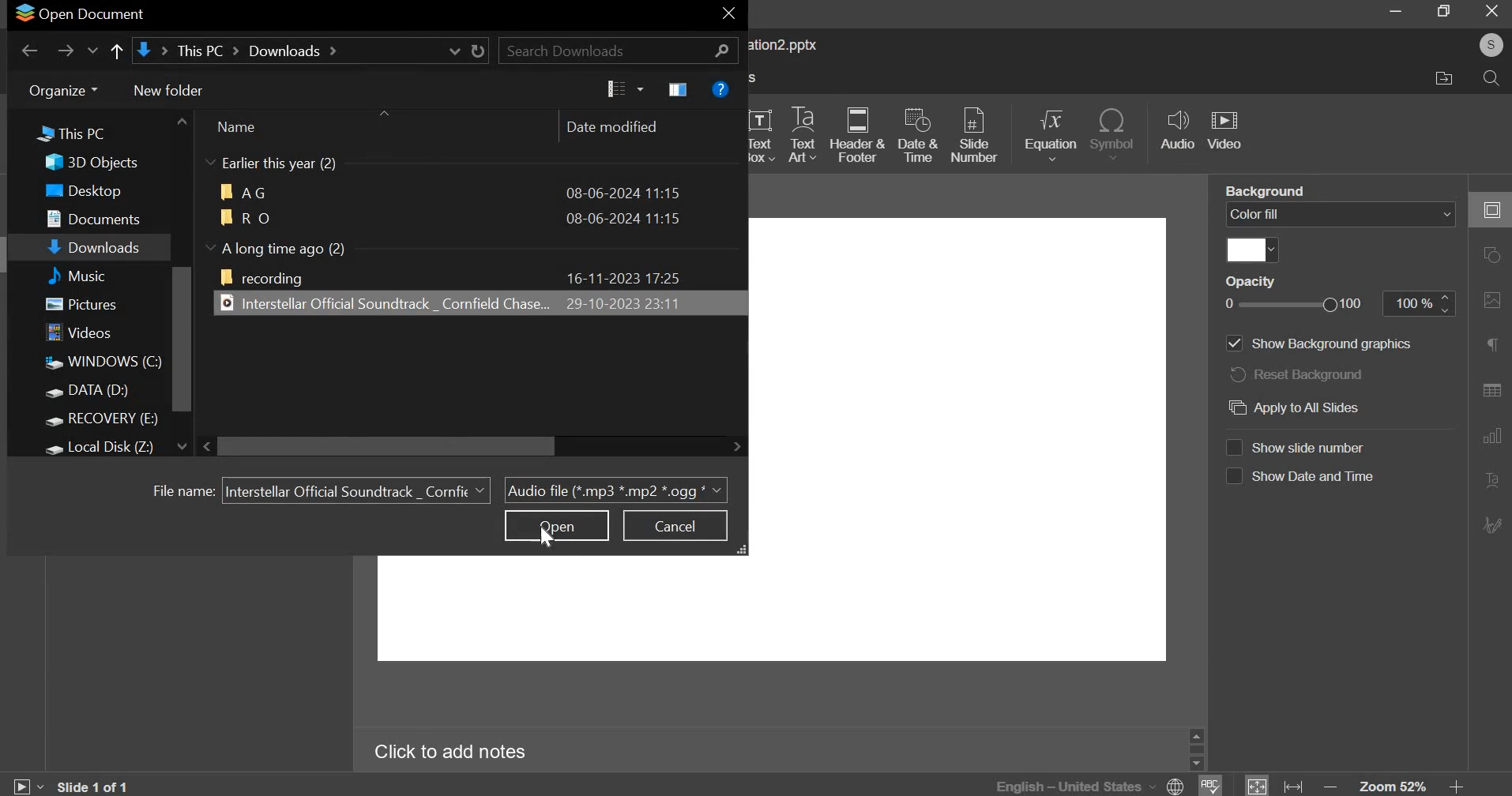 The height and width of the screenshot is (796, 1512). I want to click on fill color, so click(1254, 250).